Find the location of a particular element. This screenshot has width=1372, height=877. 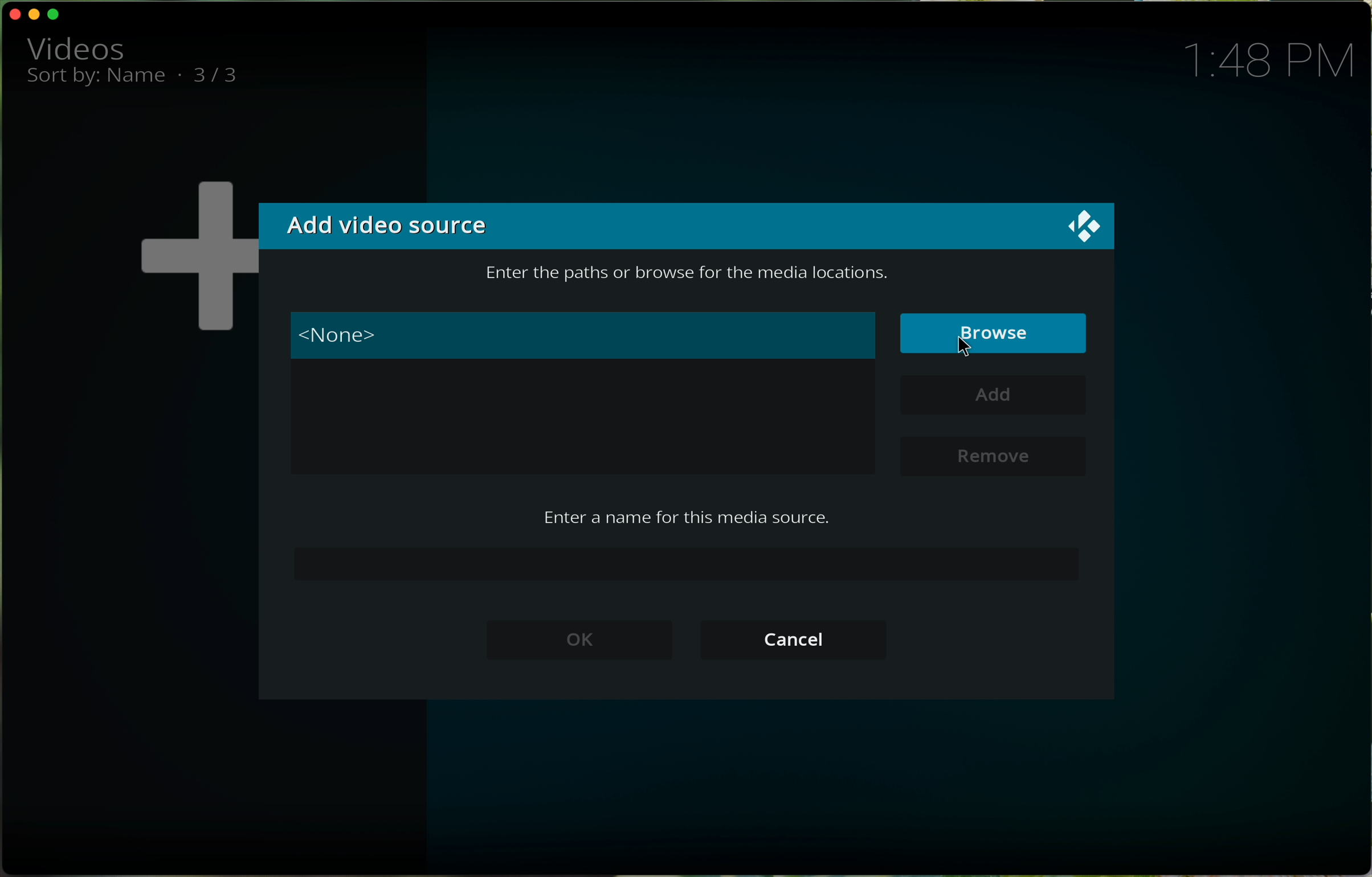

add button is located at coordinates (997, 396).